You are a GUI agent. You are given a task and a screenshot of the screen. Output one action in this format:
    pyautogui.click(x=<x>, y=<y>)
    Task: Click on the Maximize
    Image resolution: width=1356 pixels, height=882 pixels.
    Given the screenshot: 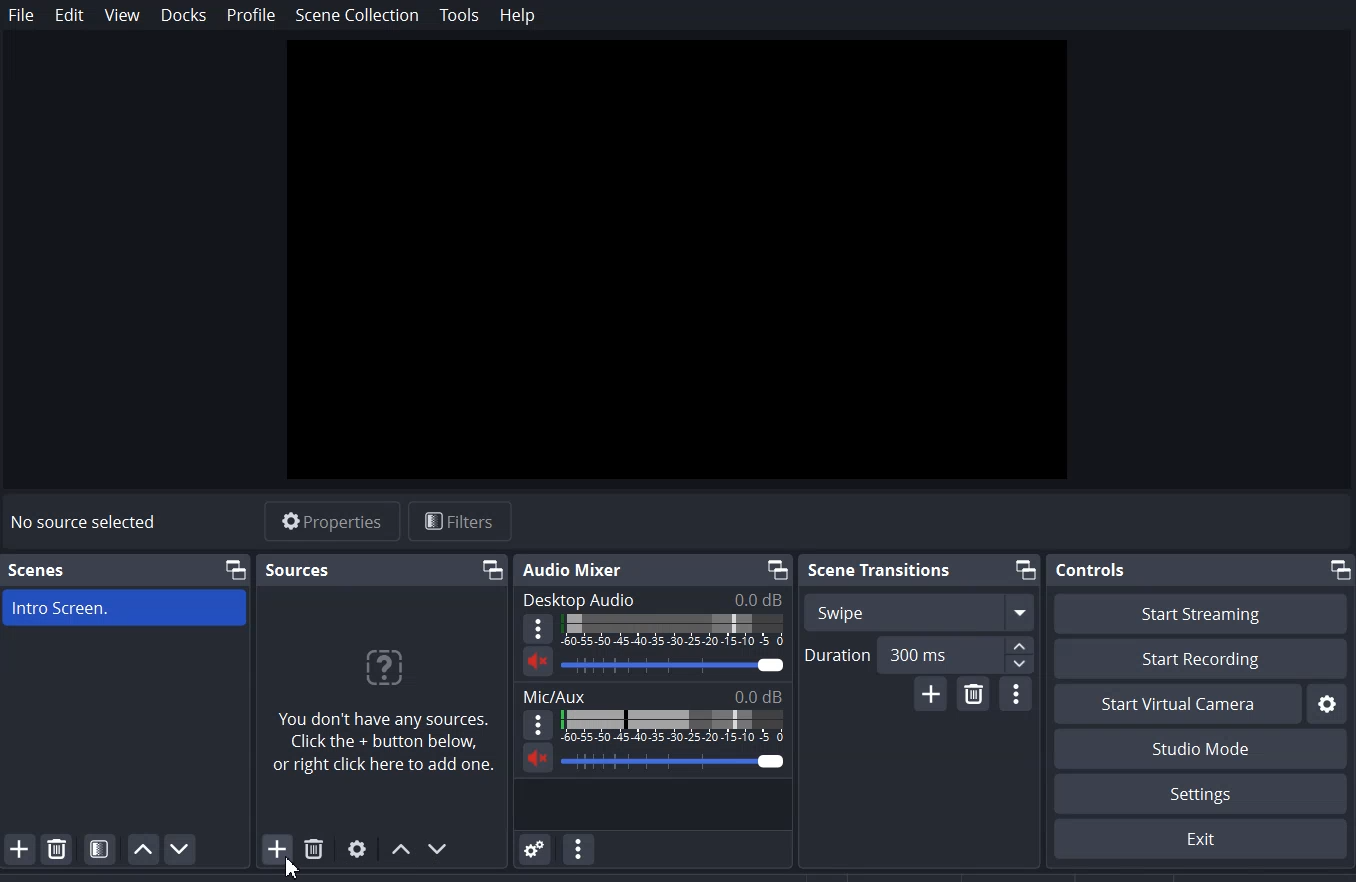 What is the action you would take?
    pyautogui.click(x=1339, y=568)
    